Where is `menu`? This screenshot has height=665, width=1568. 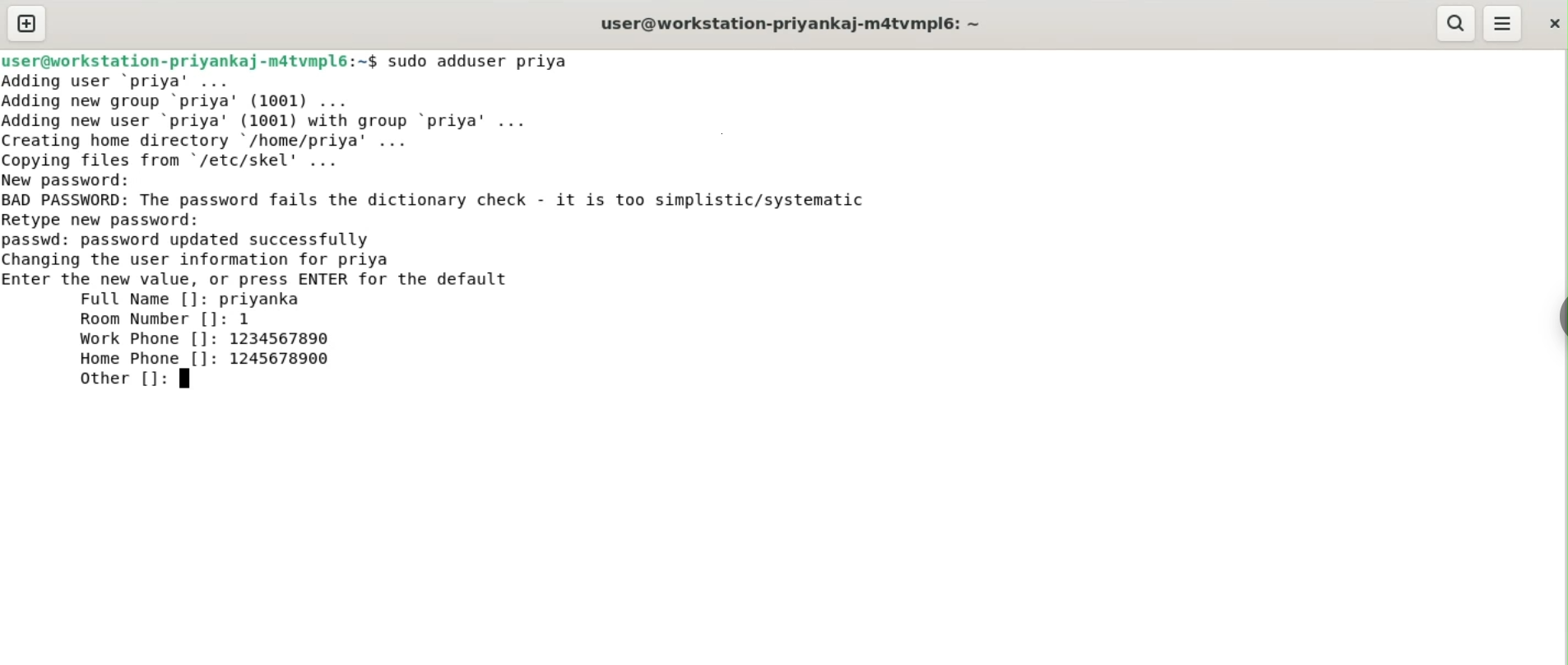
menu is located at coordinates (1504, 24).